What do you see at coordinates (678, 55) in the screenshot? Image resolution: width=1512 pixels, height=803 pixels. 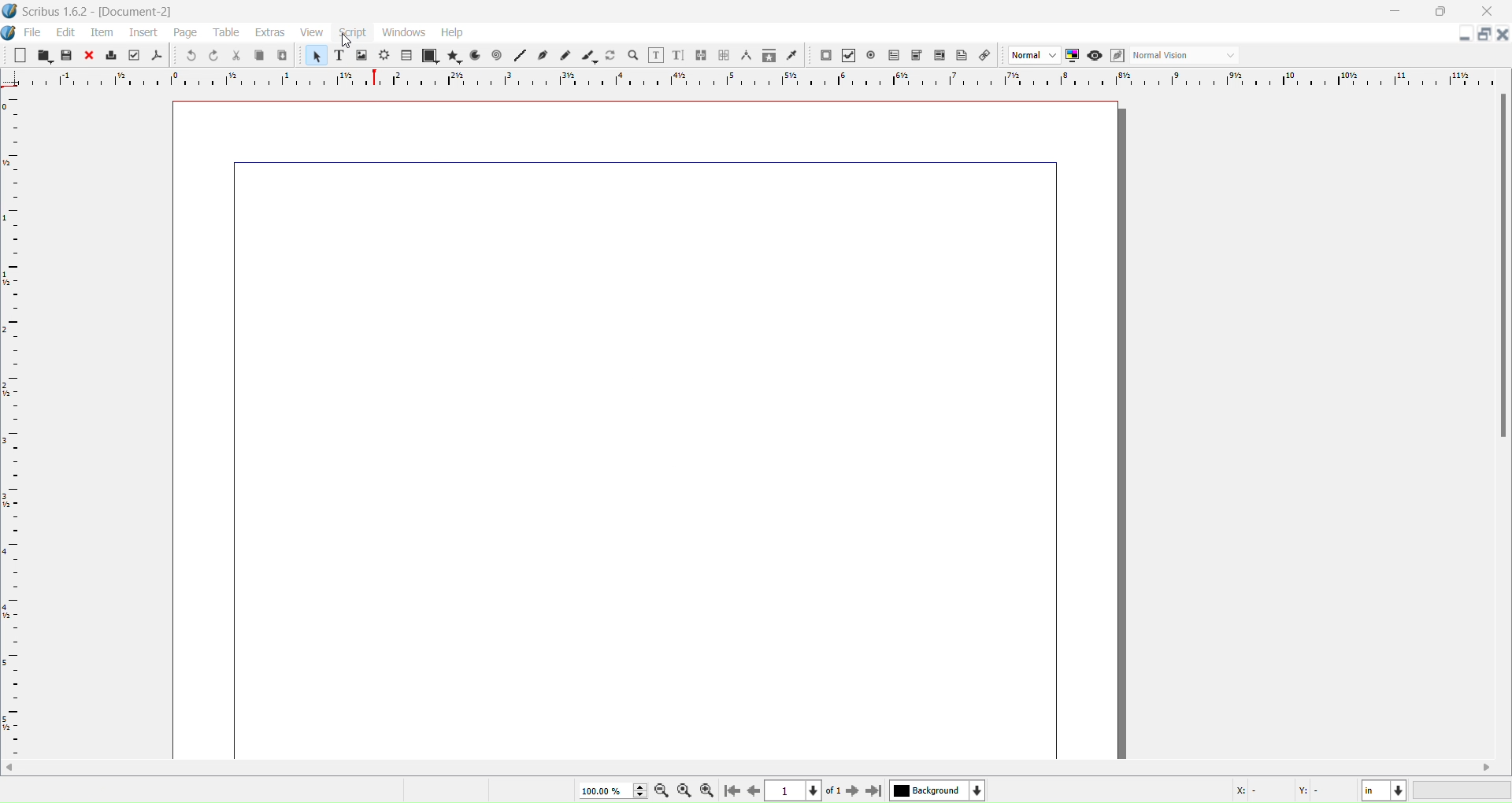 I see `Edit Text with Story Editor` at bounding box center [678, 55].